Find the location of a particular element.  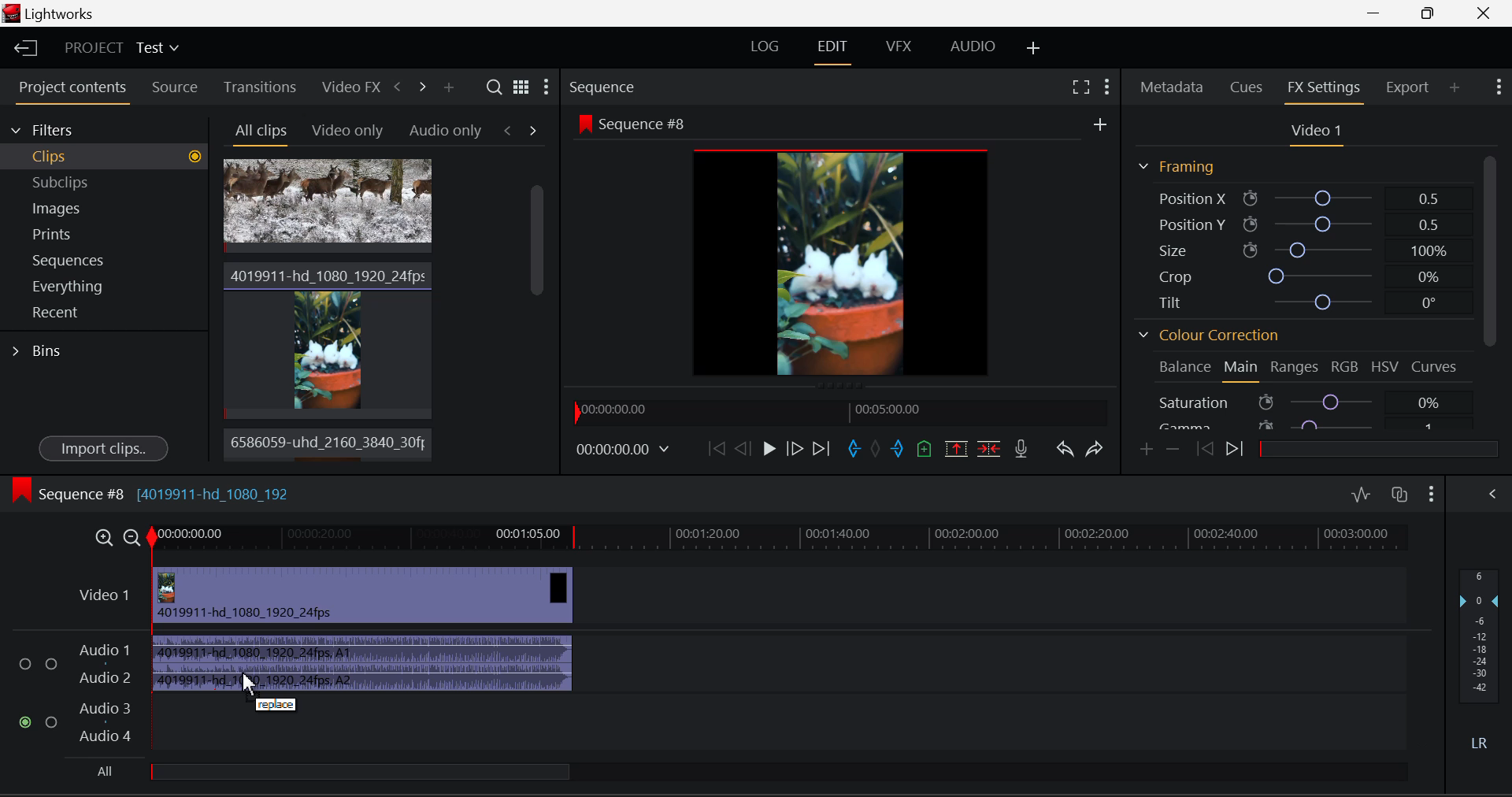

Next keyframe is located at coordinates (1237, 447).